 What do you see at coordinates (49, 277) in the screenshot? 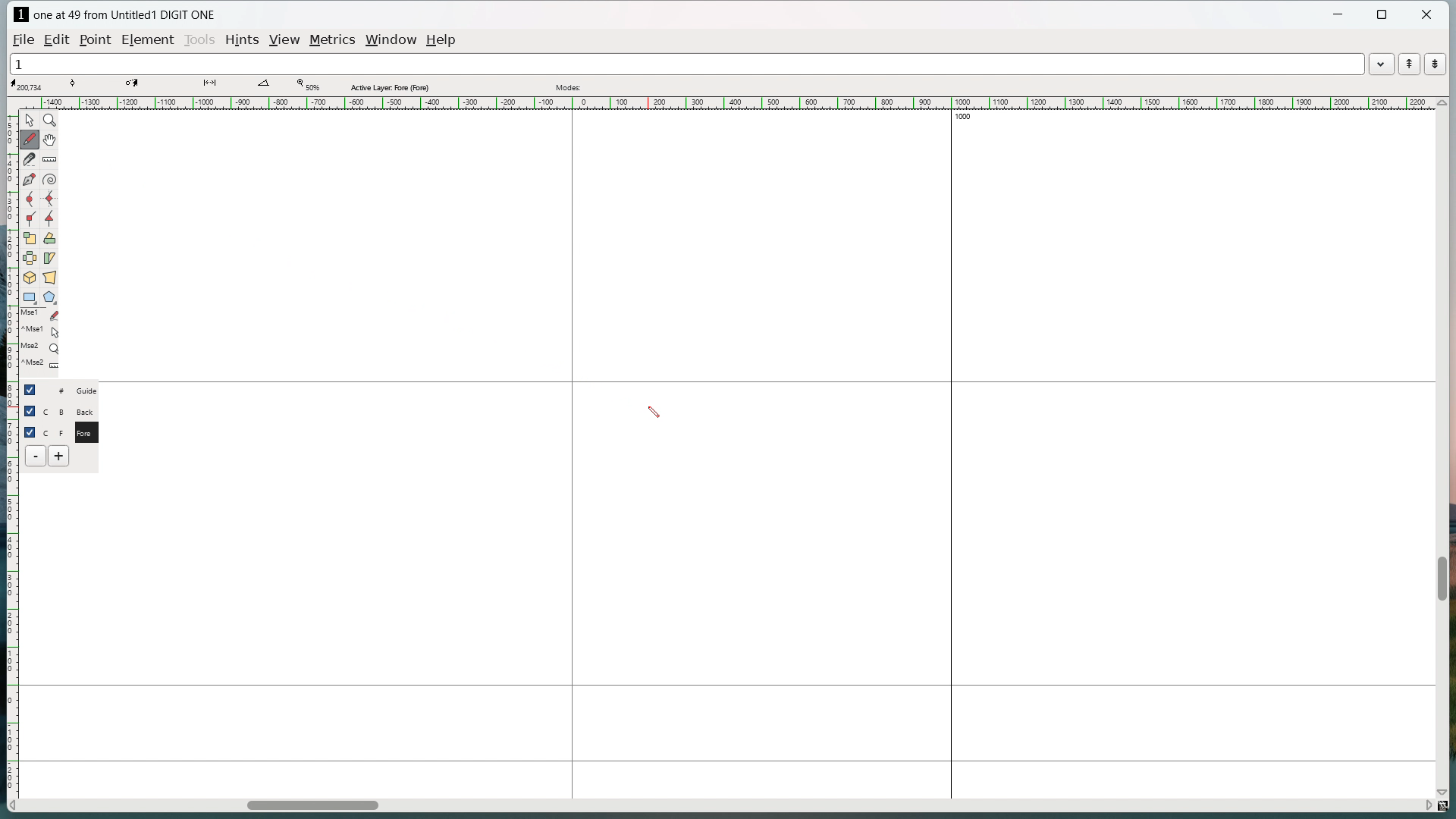
I see `perspective transformation` at bounding box center [49, 277].